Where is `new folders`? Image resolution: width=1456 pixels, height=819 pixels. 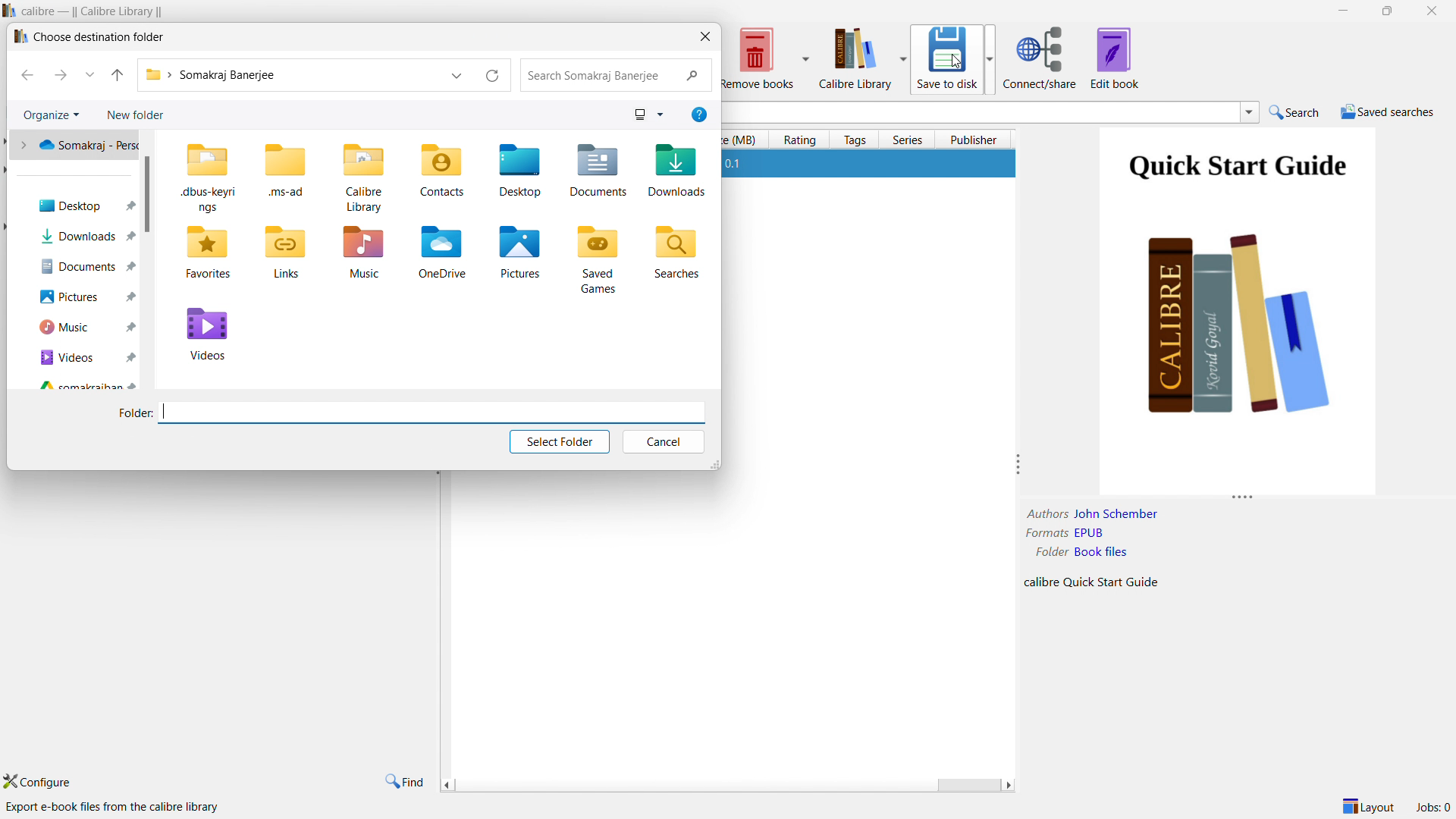 new folders is located at coordinates (132, 115).